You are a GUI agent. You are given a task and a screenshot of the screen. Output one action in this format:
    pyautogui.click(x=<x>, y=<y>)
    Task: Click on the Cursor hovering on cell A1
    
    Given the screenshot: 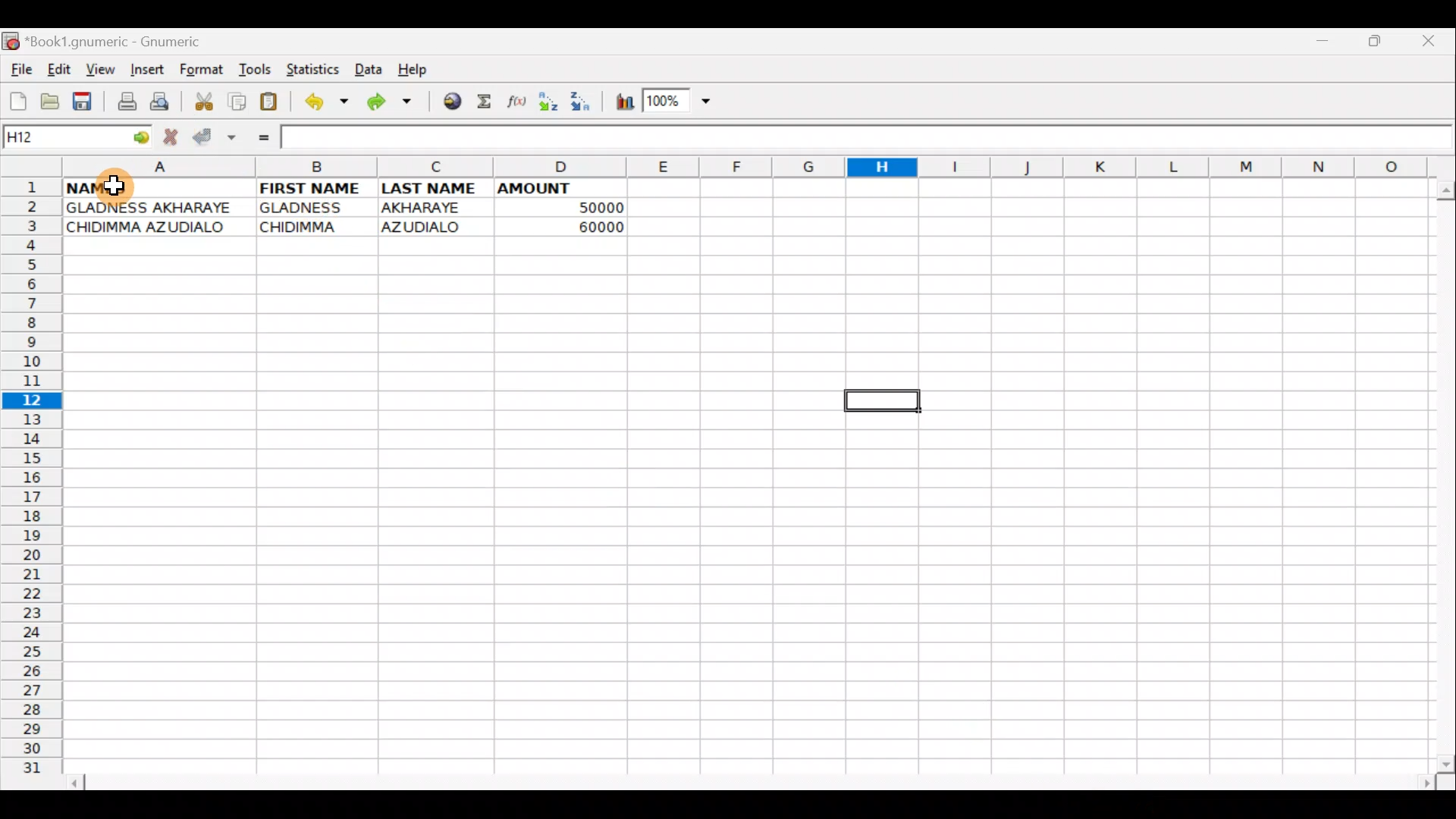 What is the action you would take?
    pyautogui.click(x=121, y=187)
    